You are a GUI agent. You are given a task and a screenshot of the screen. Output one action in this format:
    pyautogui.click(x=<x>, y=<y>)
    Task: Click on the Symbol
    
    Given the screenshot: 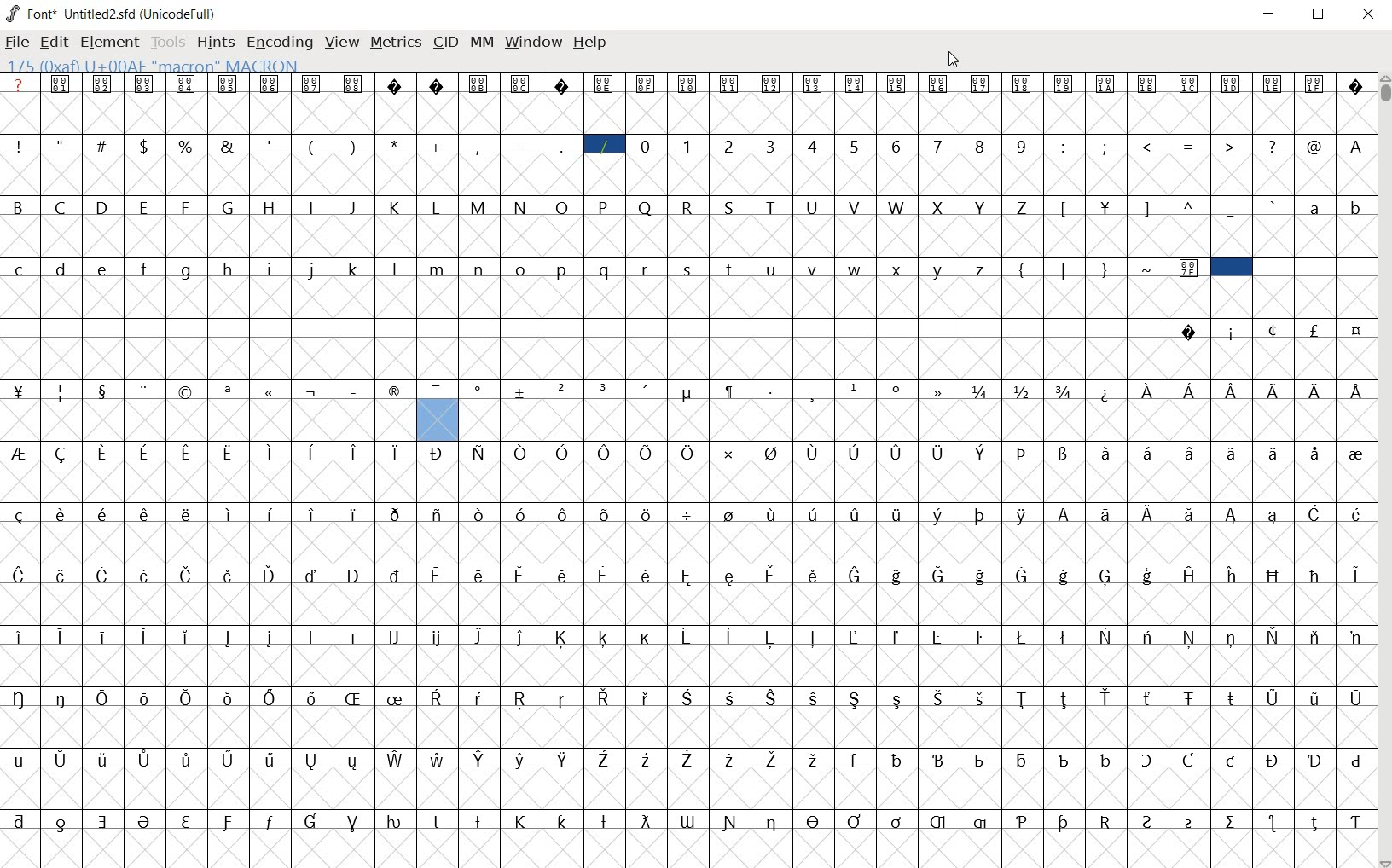 What is the action you would take?
    pyautogui.click(x=229, y=820)
    